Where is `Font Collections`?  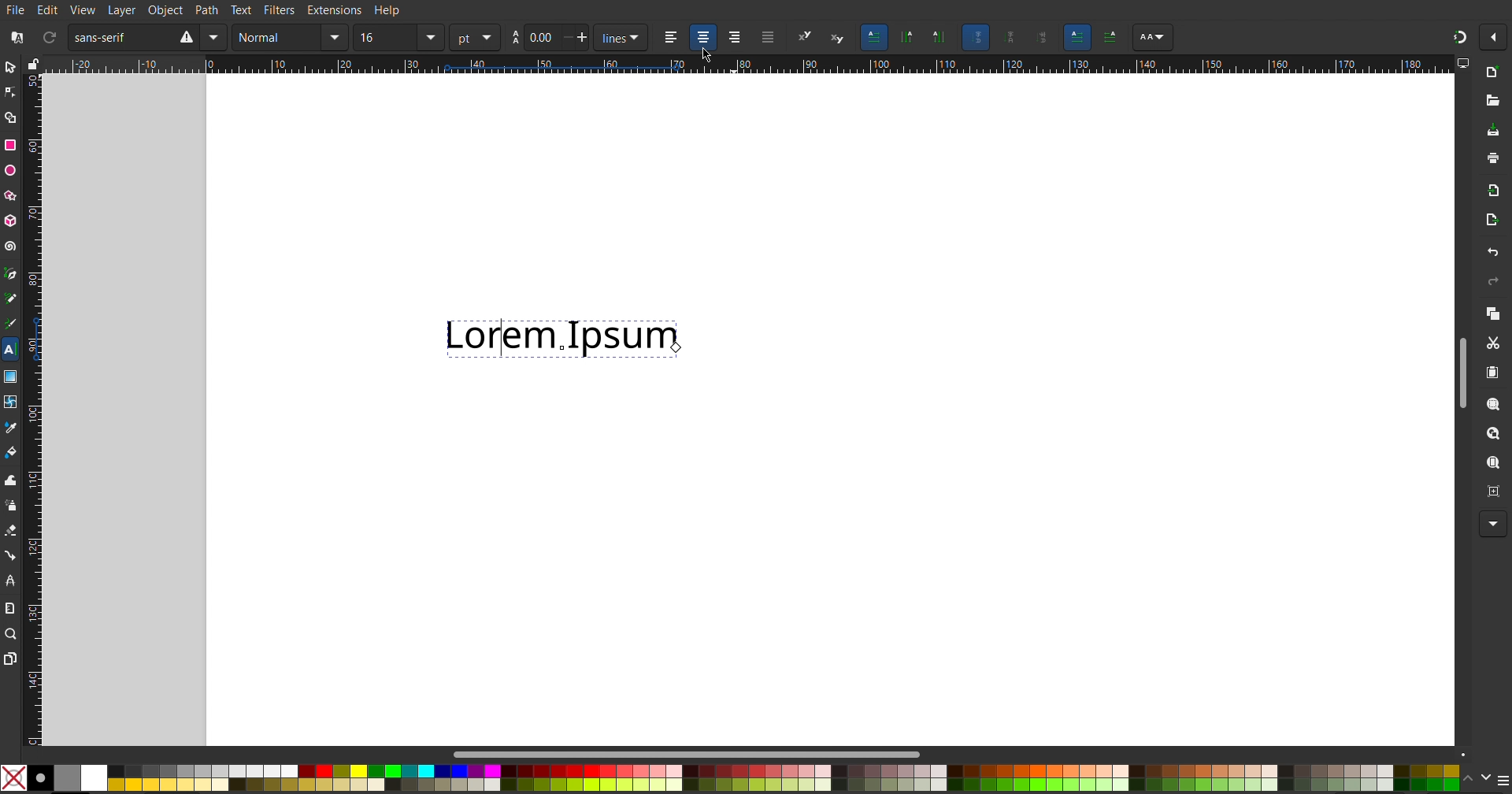
Font Collections is located at coordinates (16, 38).